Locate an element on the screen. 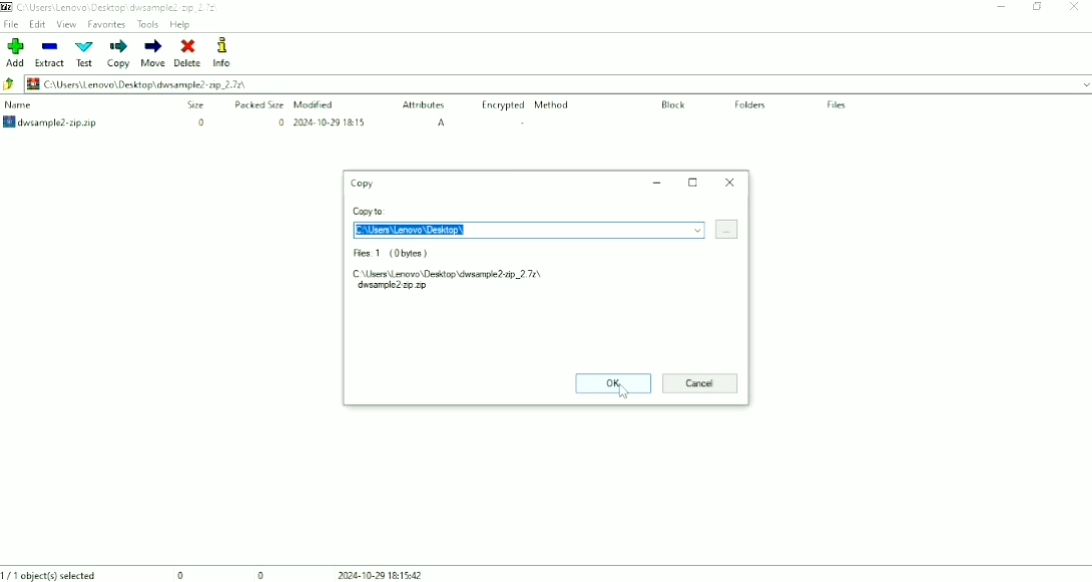  Edit is located at coordinates (37, 24).